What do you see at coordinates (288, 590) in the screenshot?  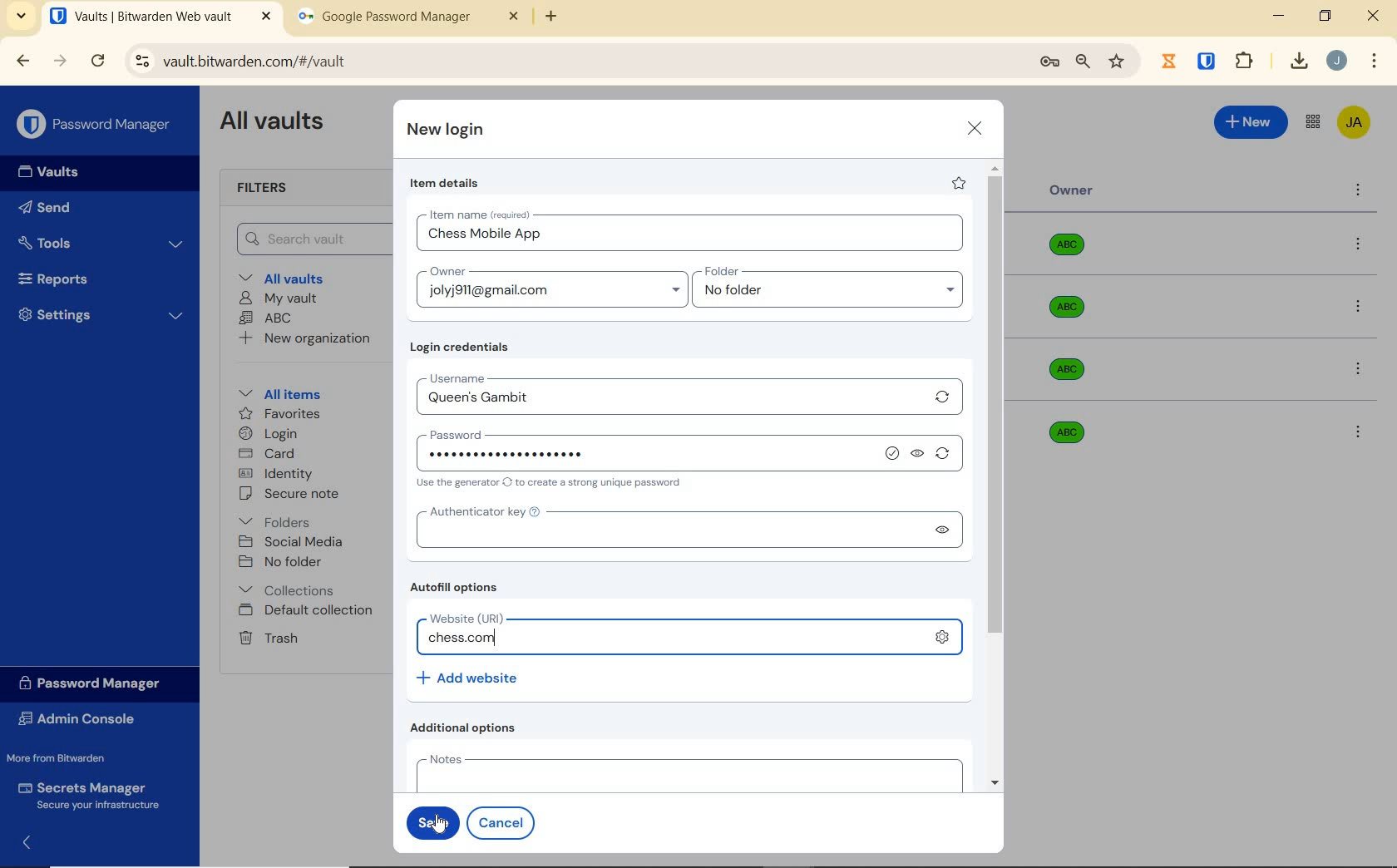 I see `collection` at bounding box center [288, 590].